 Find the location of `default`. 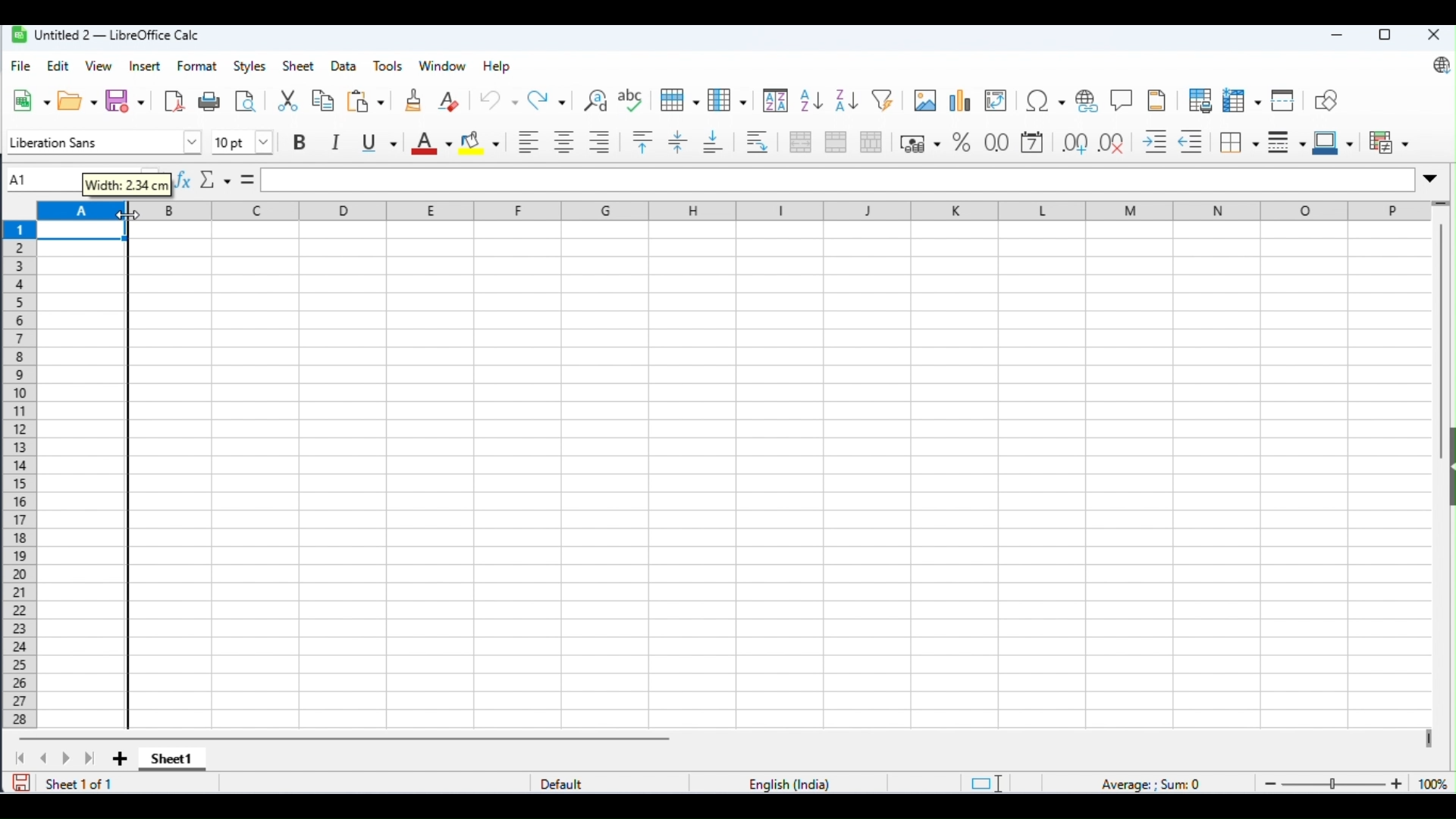

default is located at coordinates (569, 783).